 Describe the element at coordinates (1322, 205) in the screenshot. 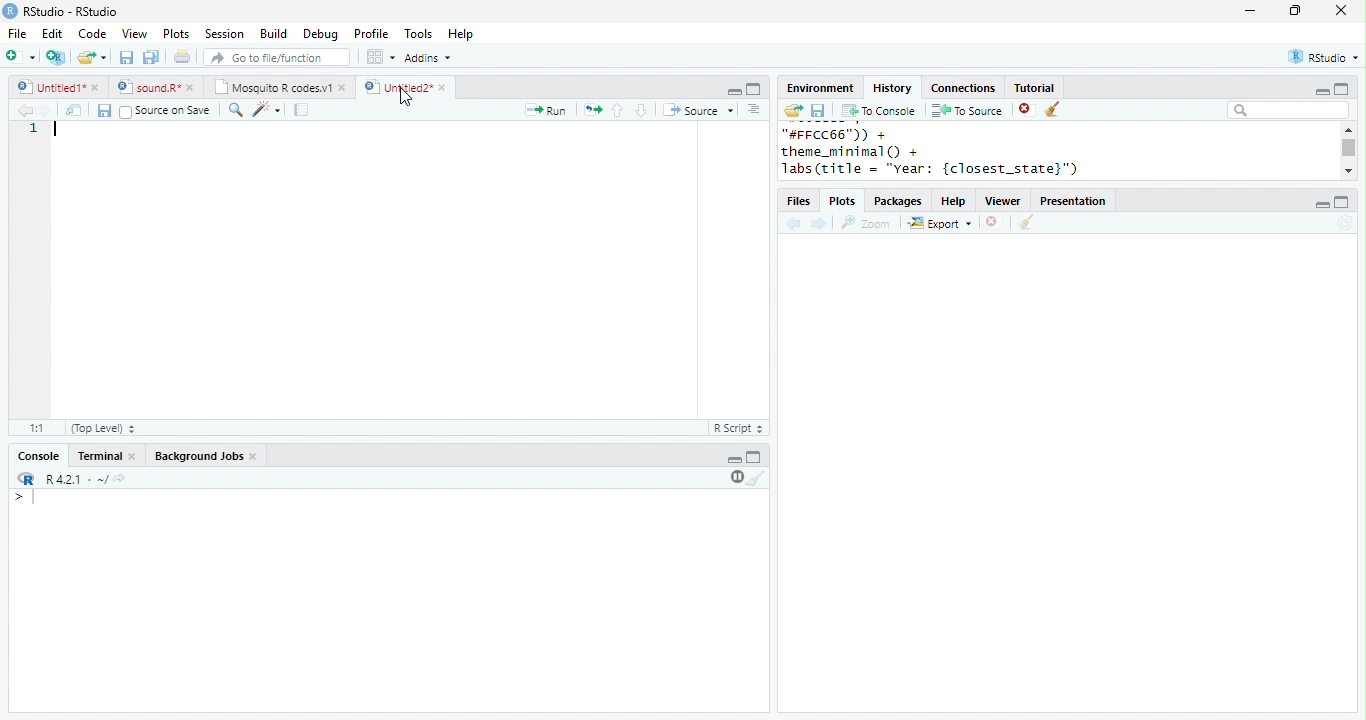

I see `minimize` at that location.